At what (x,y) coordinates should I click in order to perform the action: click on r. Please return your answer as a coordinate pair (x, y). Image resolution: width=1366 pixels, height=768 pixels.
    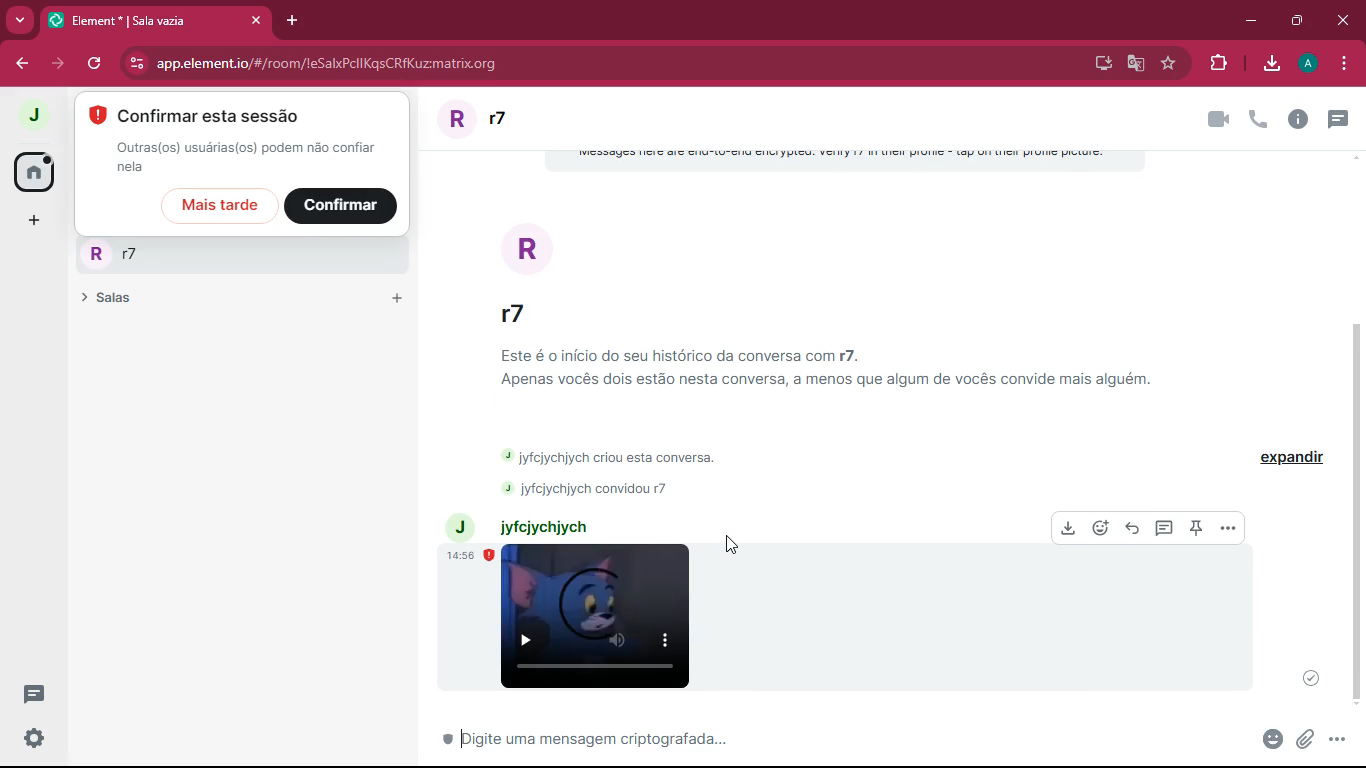
    Looking at the image, I should click on (527, 245).